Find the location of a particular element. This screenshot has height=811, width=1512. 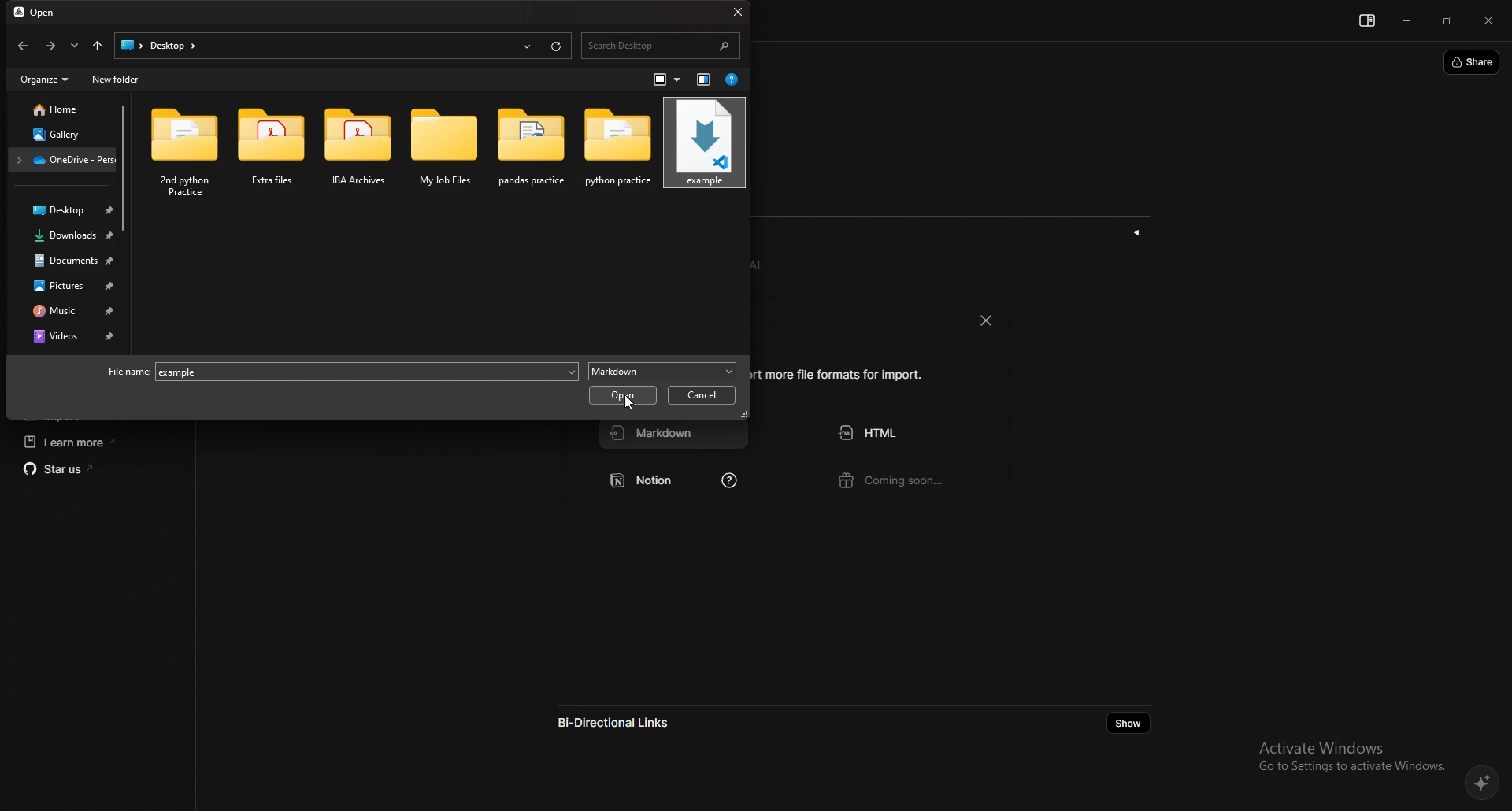

gallery is located at coordinates (57, 134).